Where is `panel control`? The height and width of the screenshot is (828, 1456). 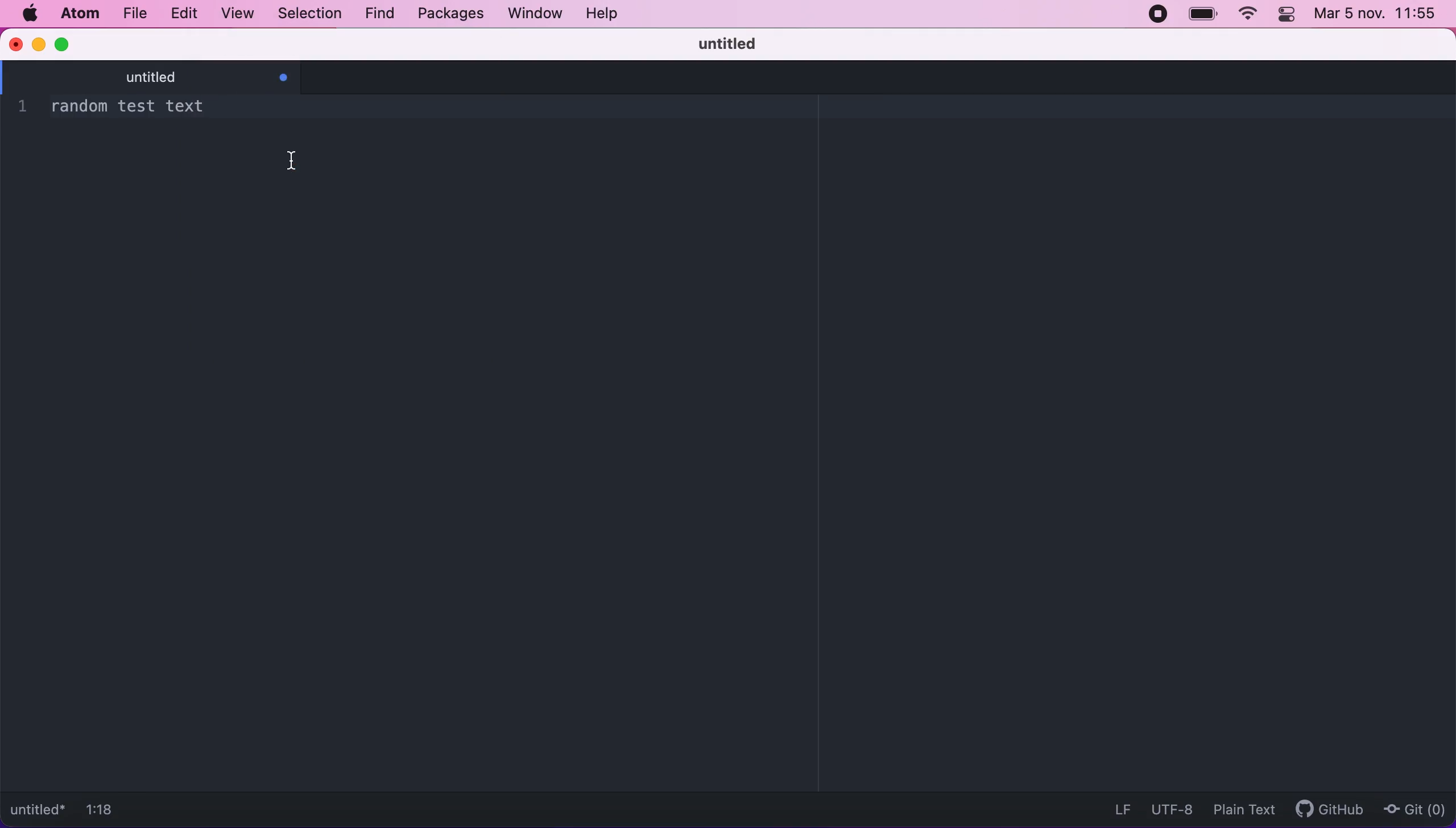
panel control is located at coordinates (1286, 16).